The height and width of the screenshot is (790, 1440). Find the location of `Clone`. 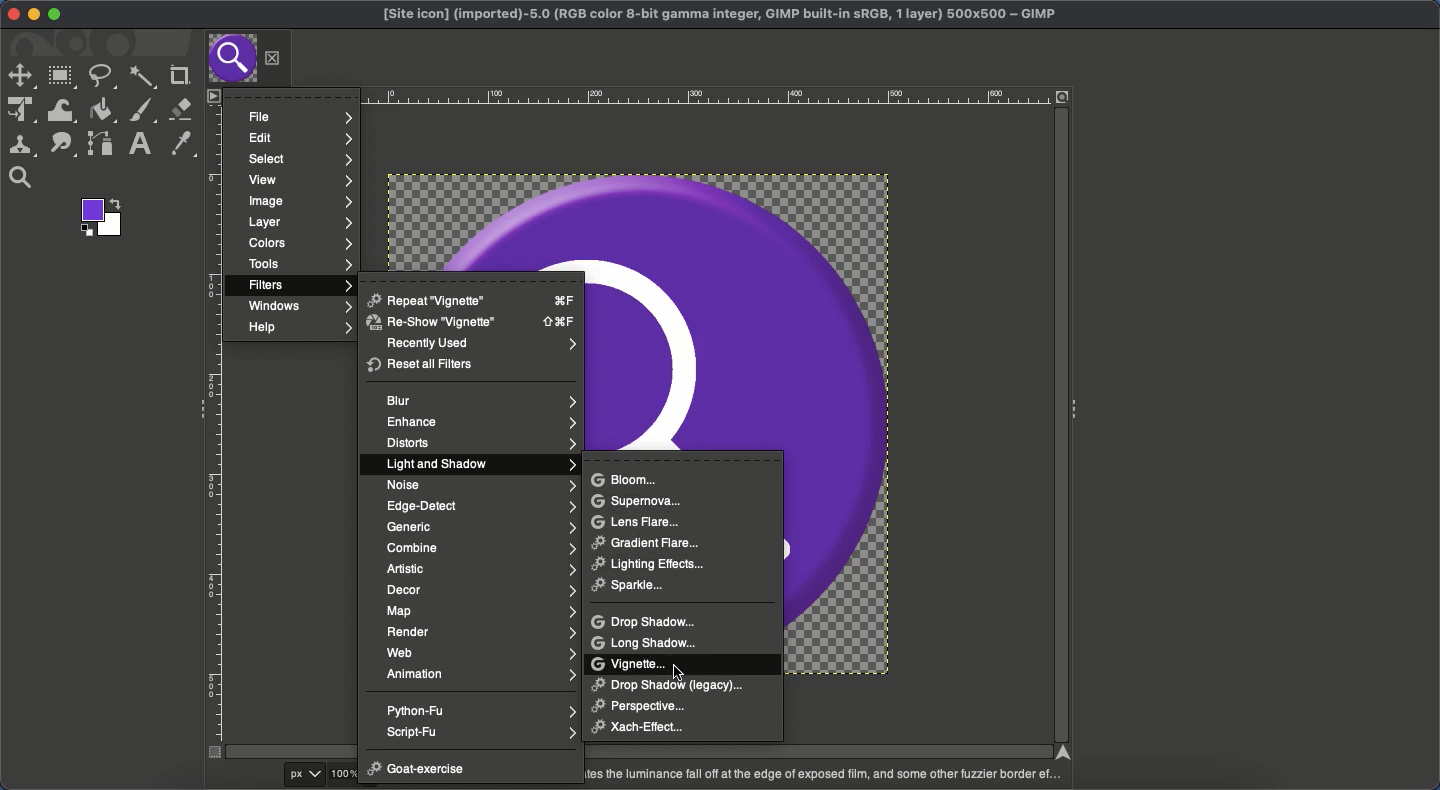

Clone is located at coordinates (21, 145).